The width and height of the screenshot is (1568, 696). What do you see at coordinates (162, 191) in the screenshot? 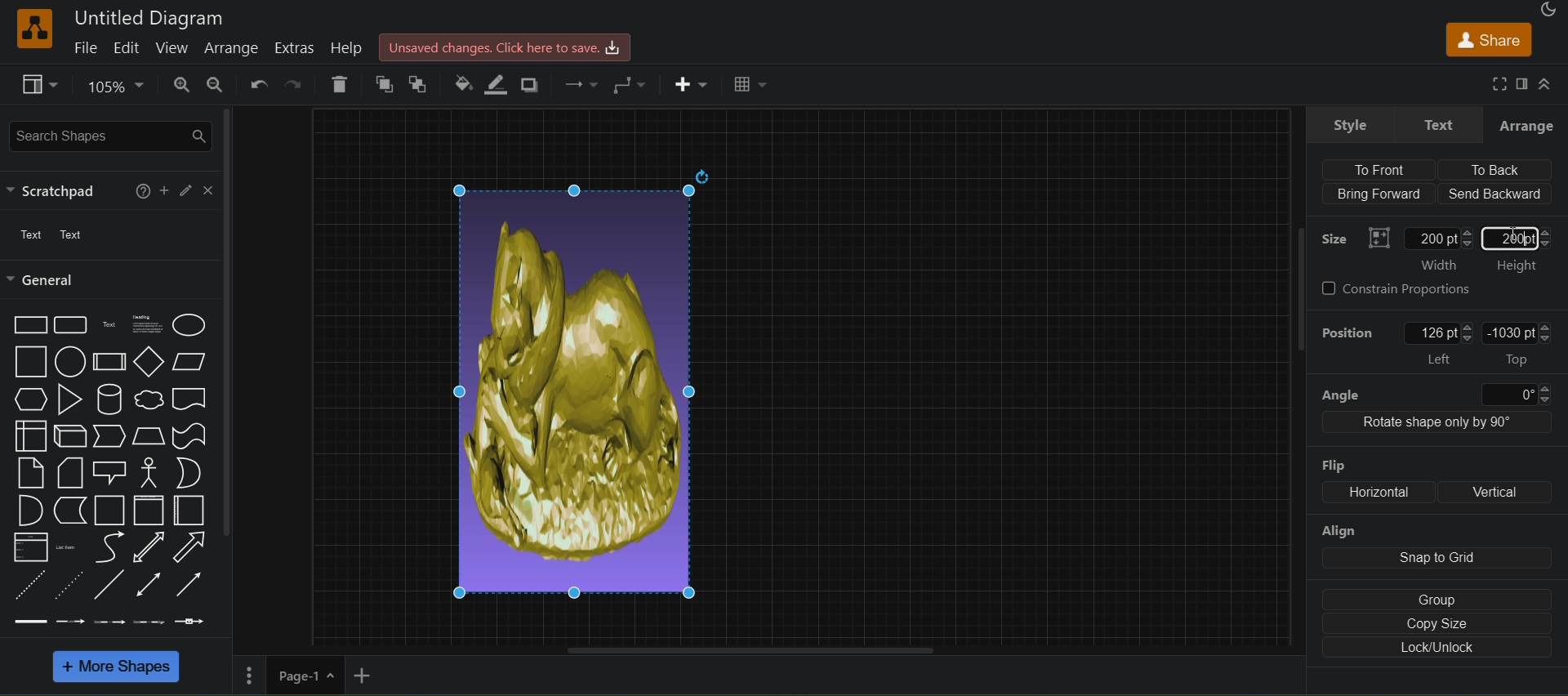
I see `Add` at bounding box center [162, 191].